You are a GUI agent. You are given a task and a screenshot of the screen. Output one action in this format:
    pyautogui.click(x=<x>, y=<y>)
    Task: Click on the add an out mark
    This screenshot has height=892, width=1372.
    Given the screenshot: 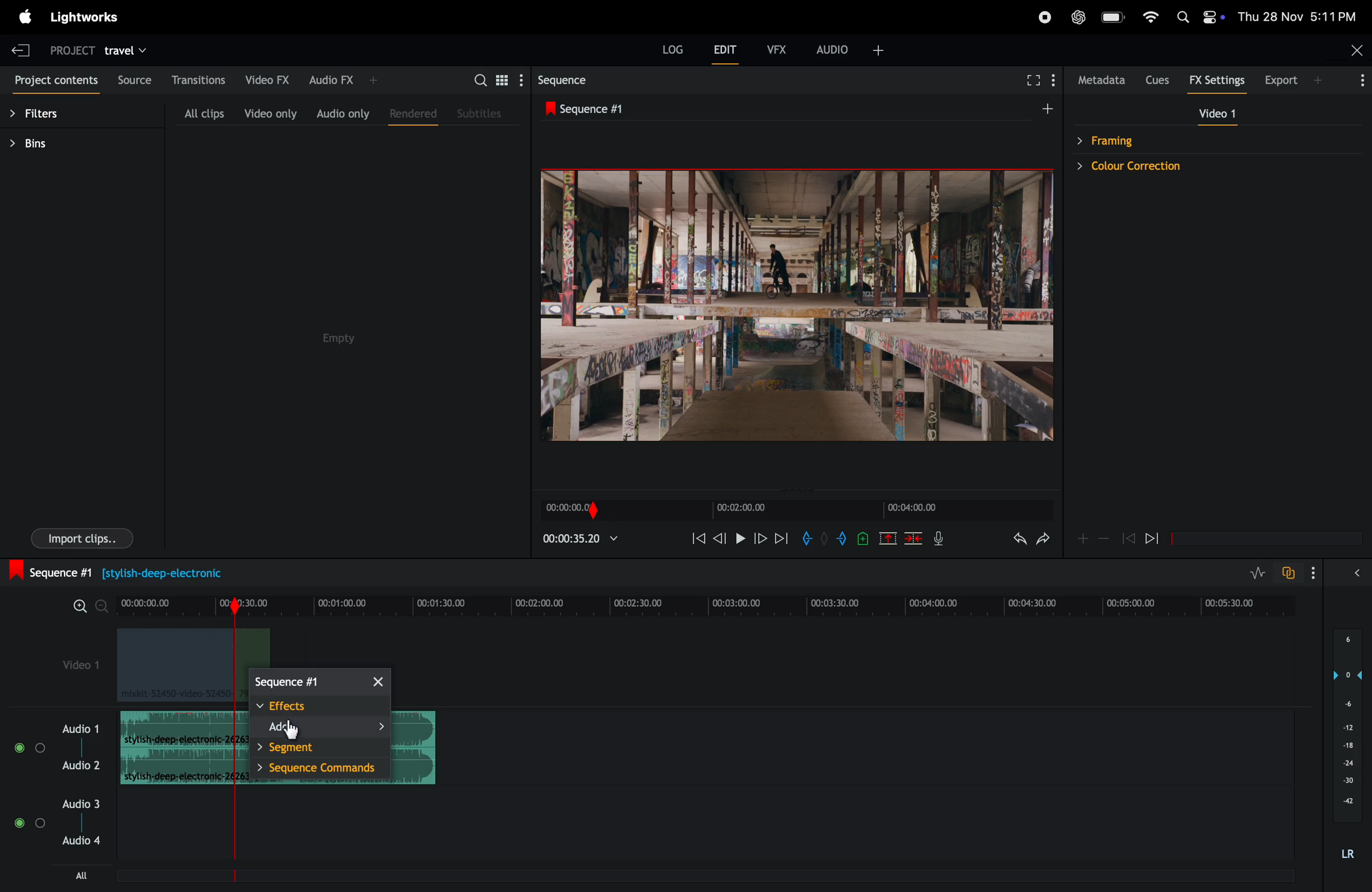 What is the action you would take?
    pyautogui.click(x=839, y=540)
    